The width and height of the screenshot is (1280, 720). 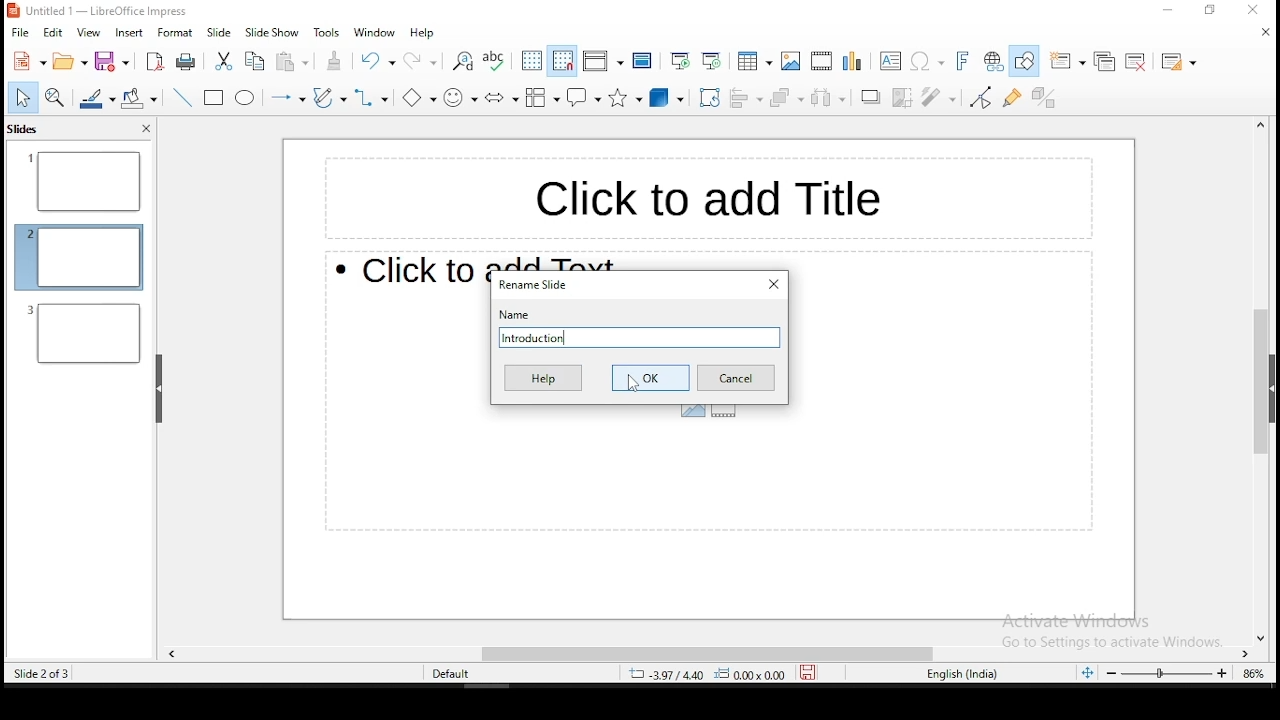 What do you see at coordinates (335, 60) in the screenshot?
I see `clone formatting` at bounding box center [335, 60].